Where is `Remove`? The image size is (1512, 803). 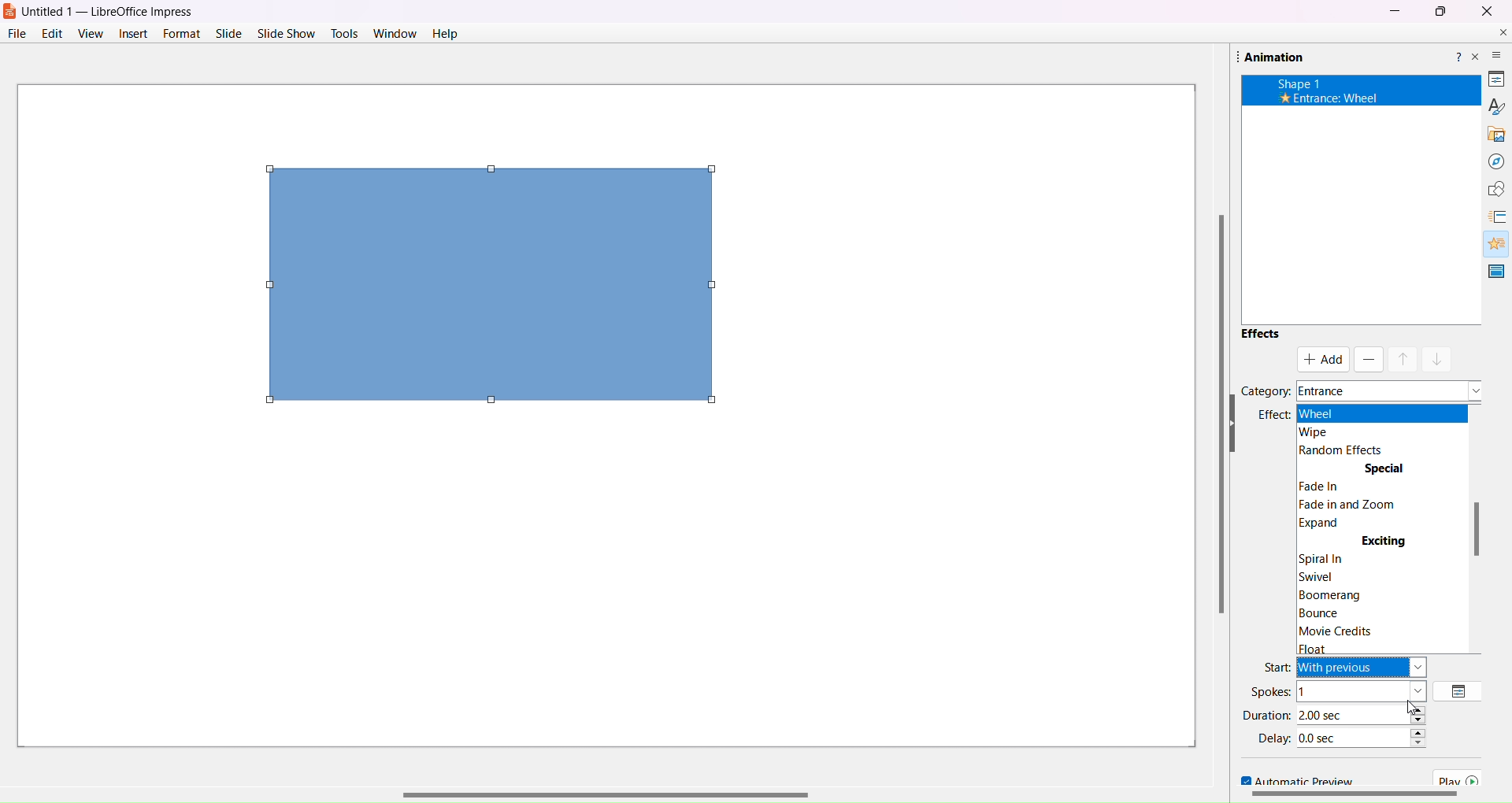 Remove is located at coordinates (1367, 360).